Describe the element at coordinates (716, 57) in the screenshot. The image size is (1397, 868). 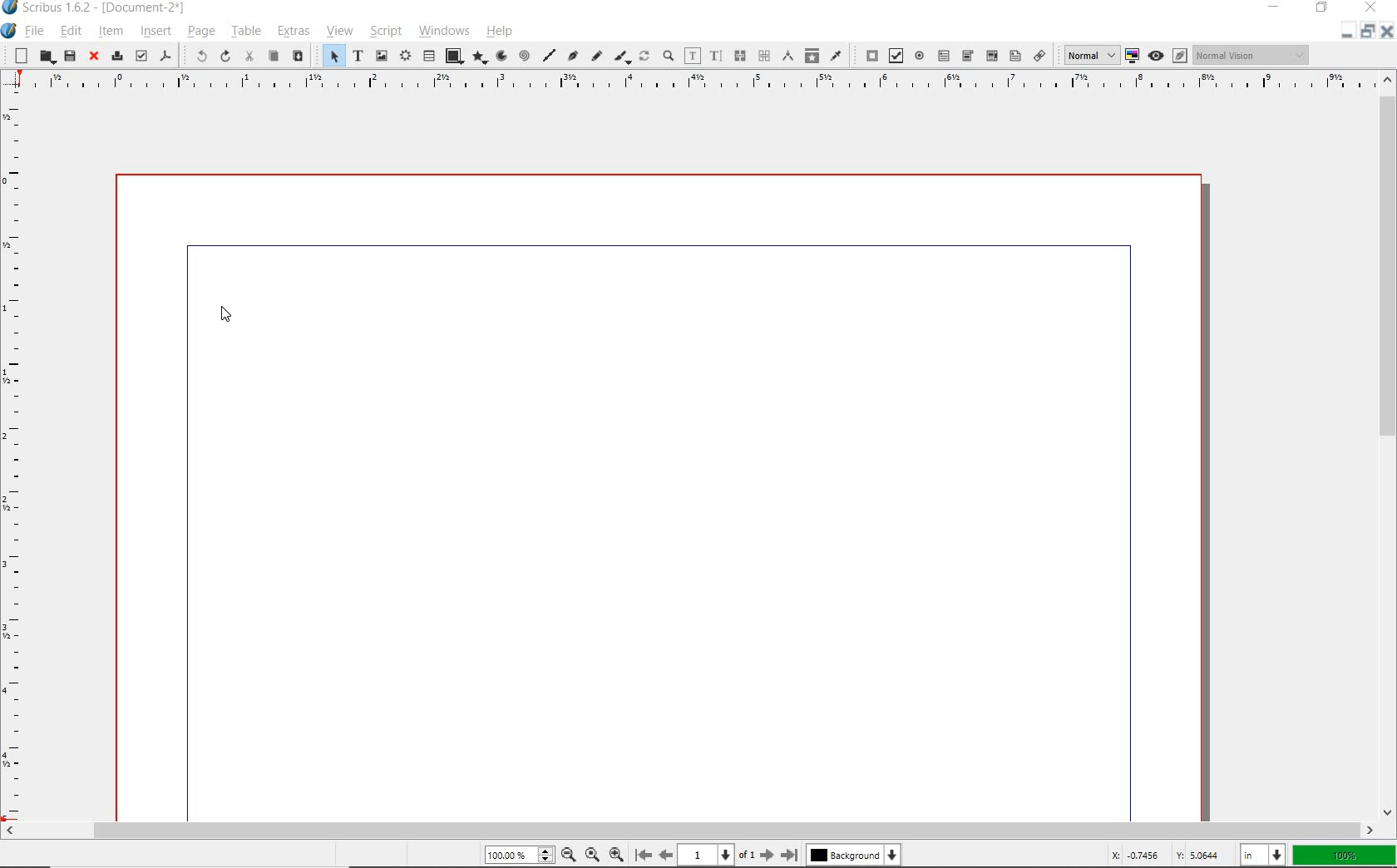
I see `edit text with story editor` at that location.